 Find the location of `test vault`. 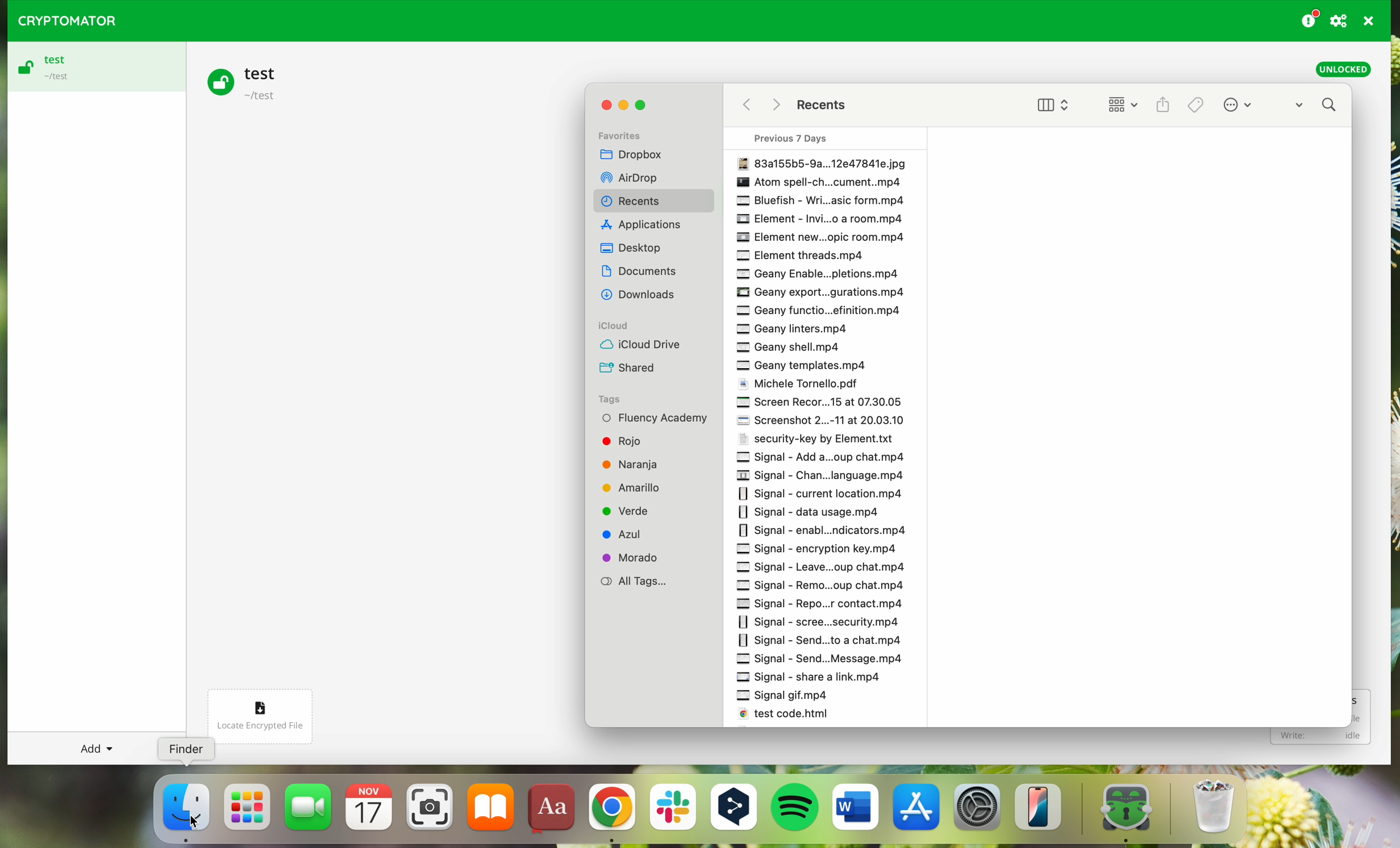

test vault is located at coordinates (93, 67).